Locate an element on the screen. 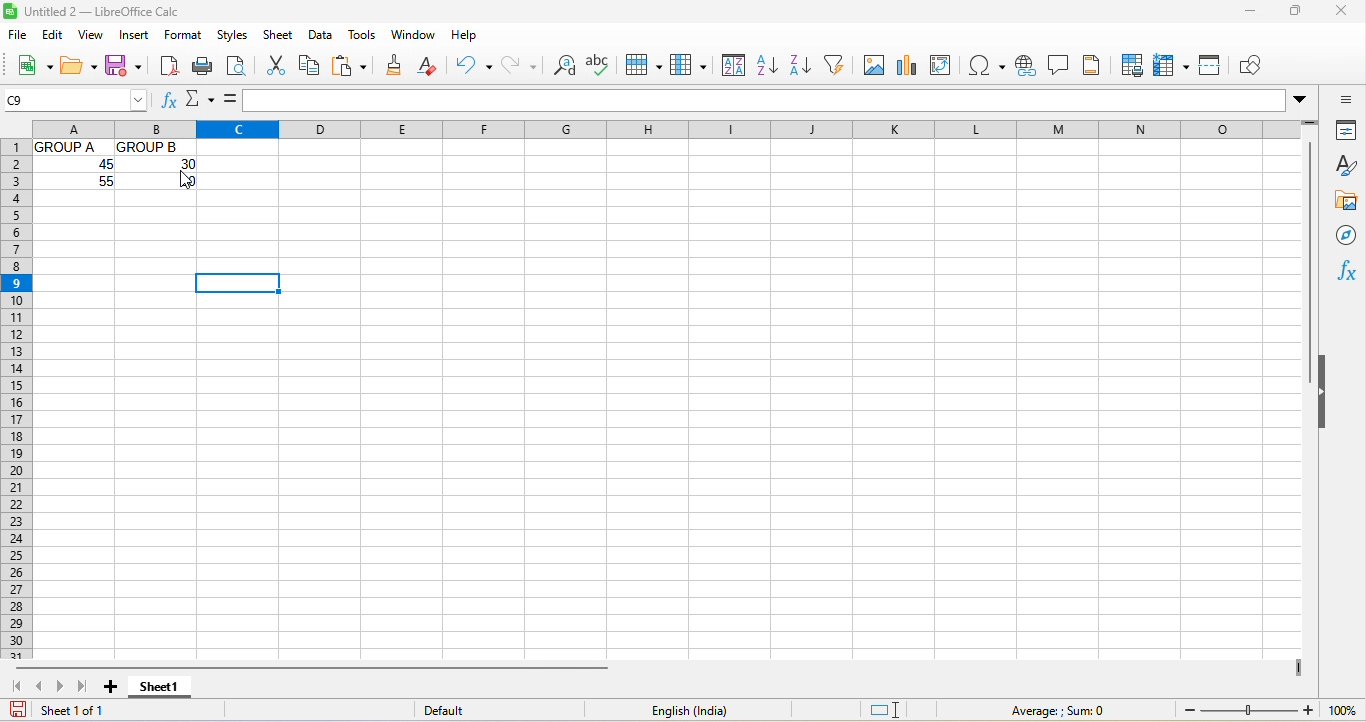 This screenshot has width=1366, height=722. image is located at coordinates (874, 65).